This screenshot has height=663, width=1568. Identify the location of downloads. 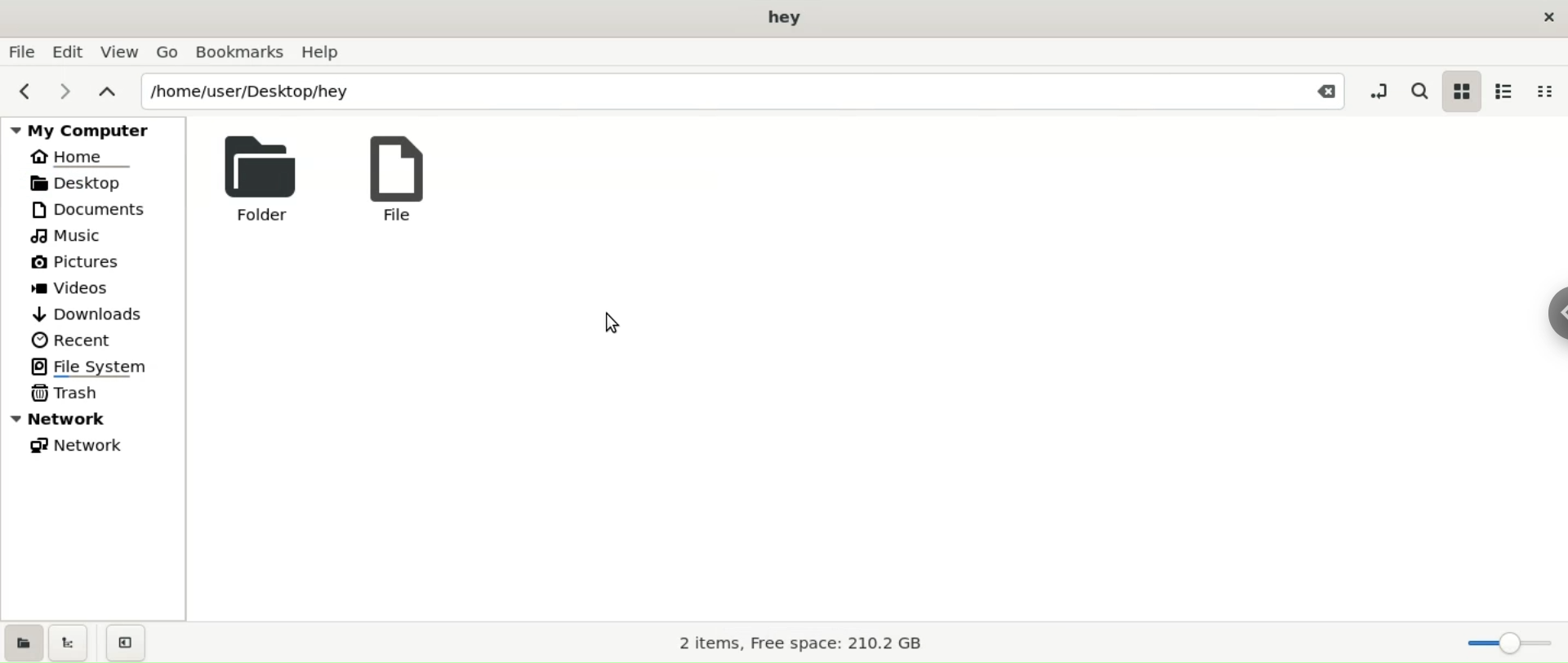
(91, 315).